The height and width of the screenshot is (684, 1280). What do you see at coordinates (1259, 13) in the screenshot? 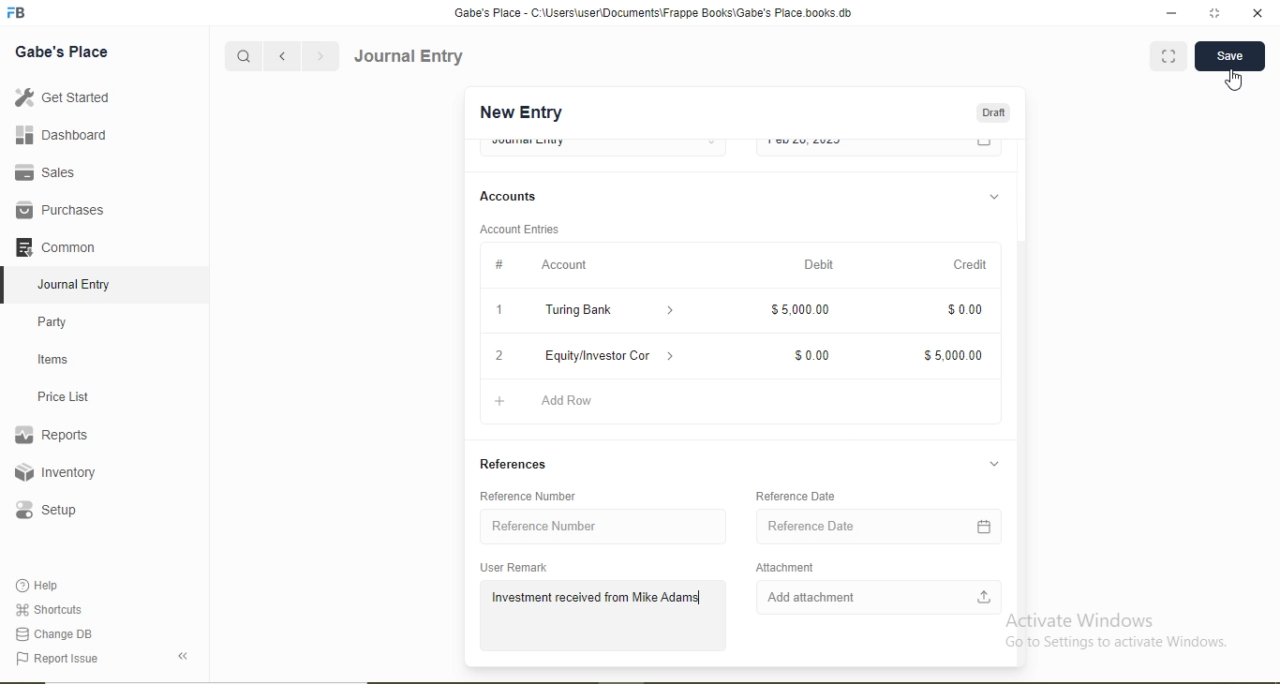
I see `close` at bounding box center [1259, 13].